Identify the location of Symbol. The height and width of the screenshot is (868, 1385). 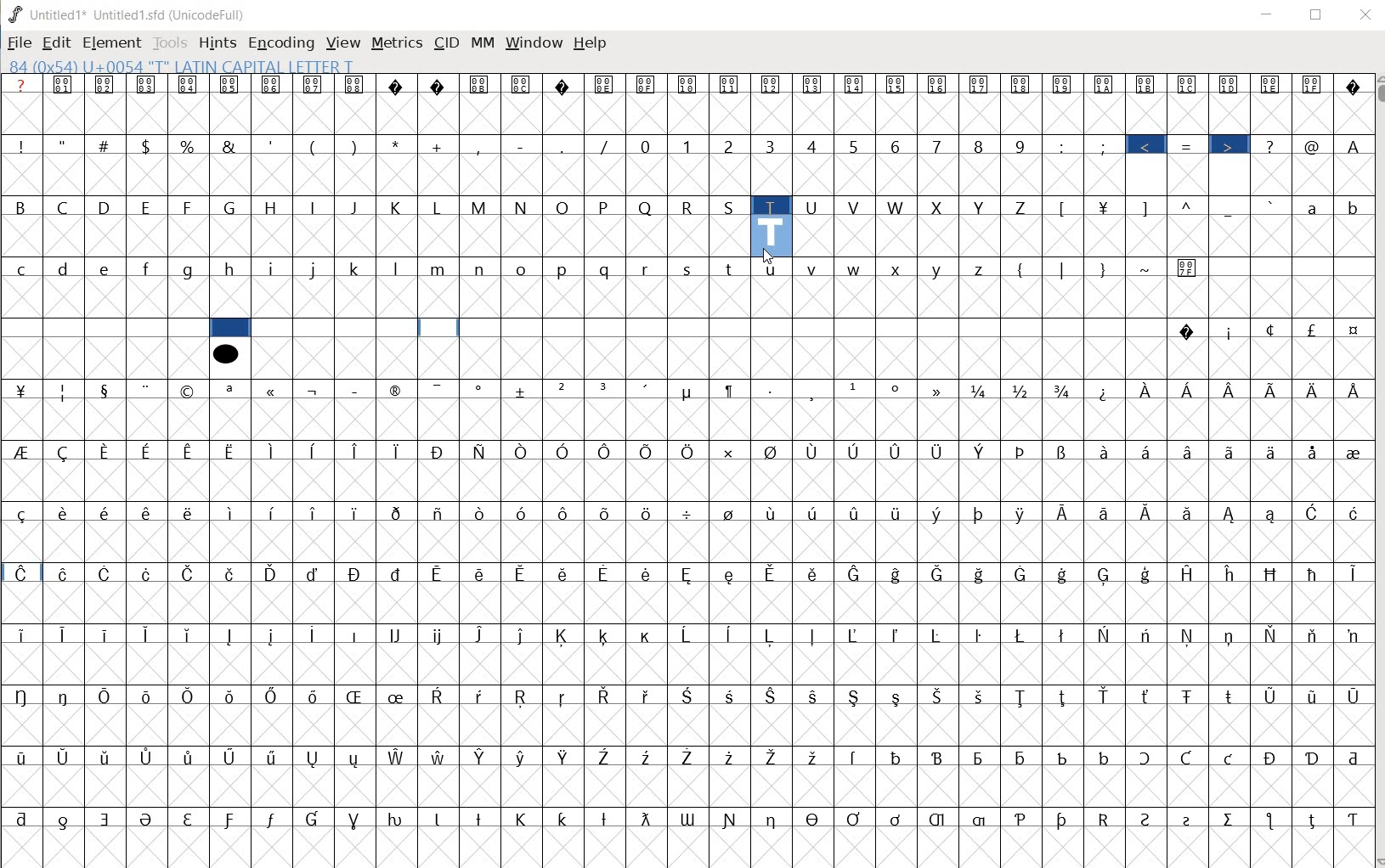
(773, 818).